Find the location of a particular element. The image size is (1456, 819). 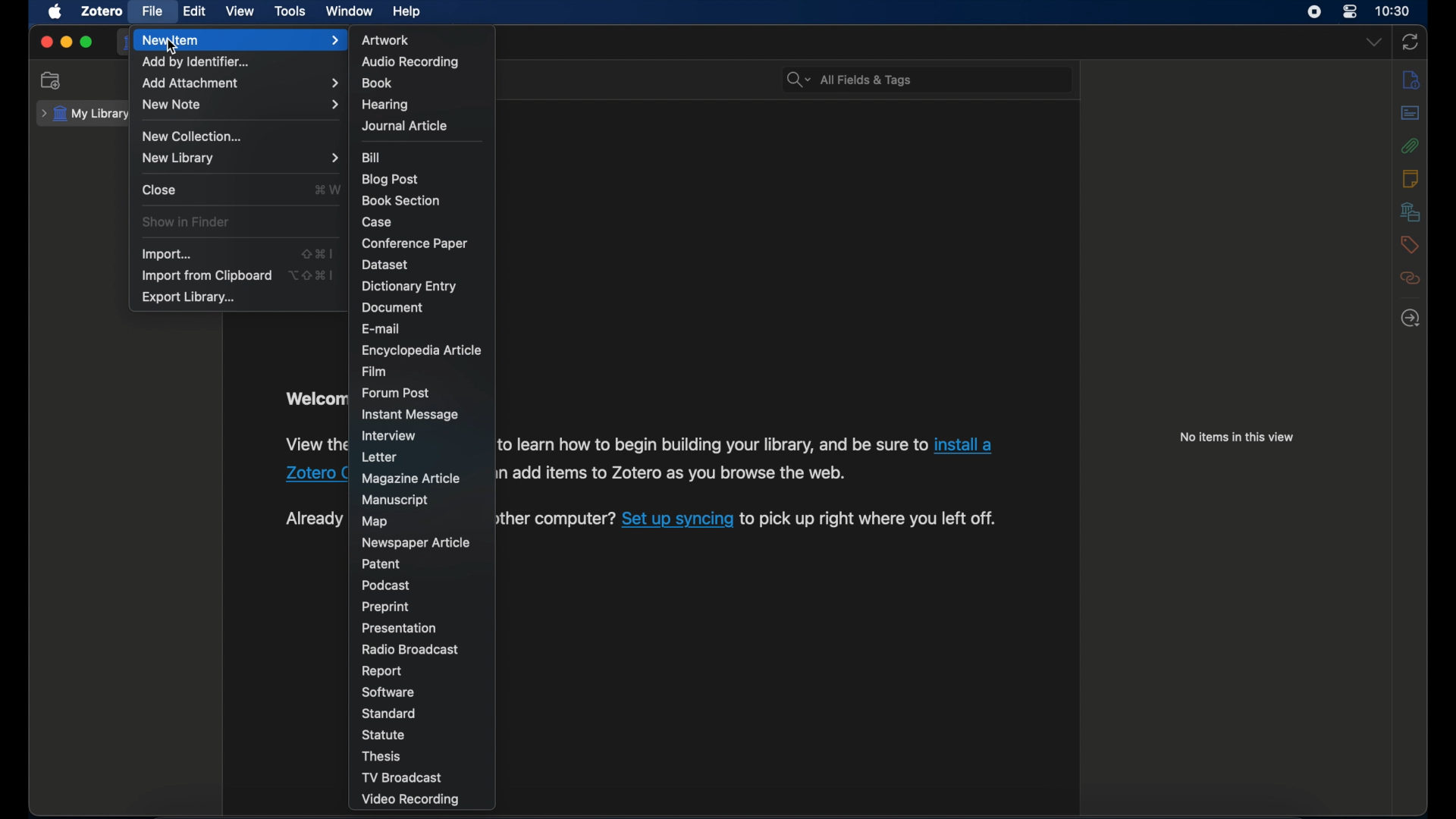

notes is located at coordinates (1412, 79).